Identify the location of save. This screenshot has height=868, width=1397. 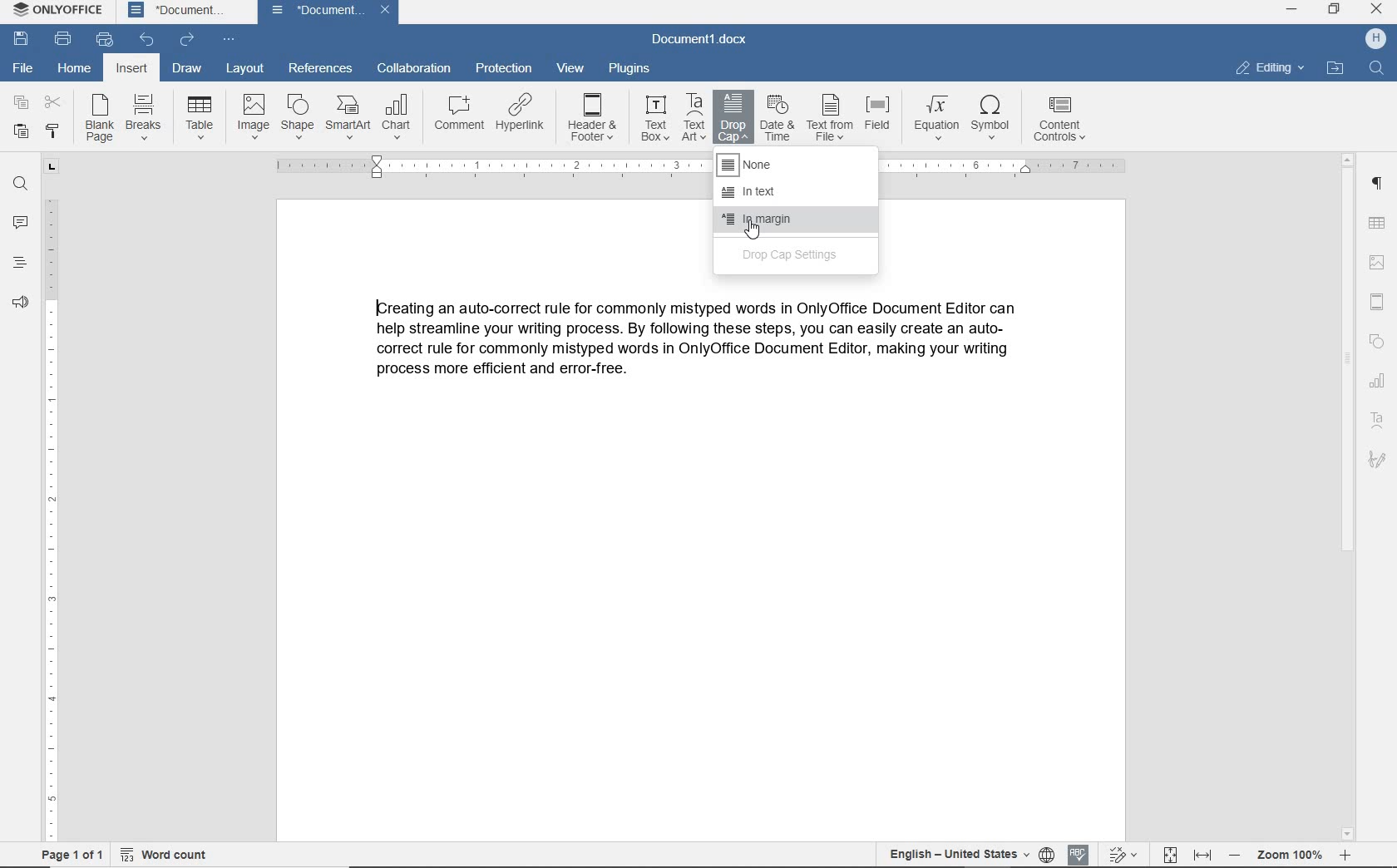
(22, 39).